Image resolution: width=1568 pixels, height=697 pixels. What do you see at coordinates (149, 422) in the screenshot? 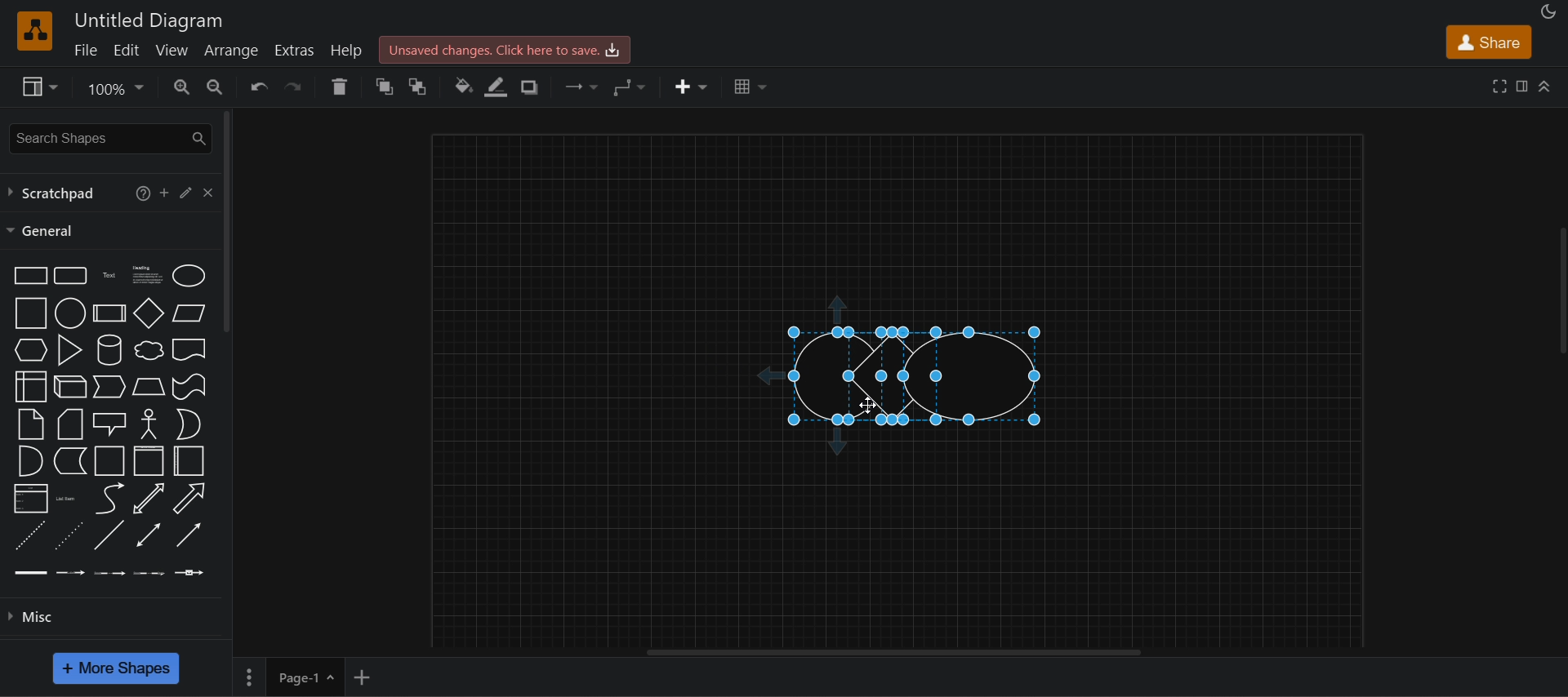
I see `actor` at bounding box center [149, 422].